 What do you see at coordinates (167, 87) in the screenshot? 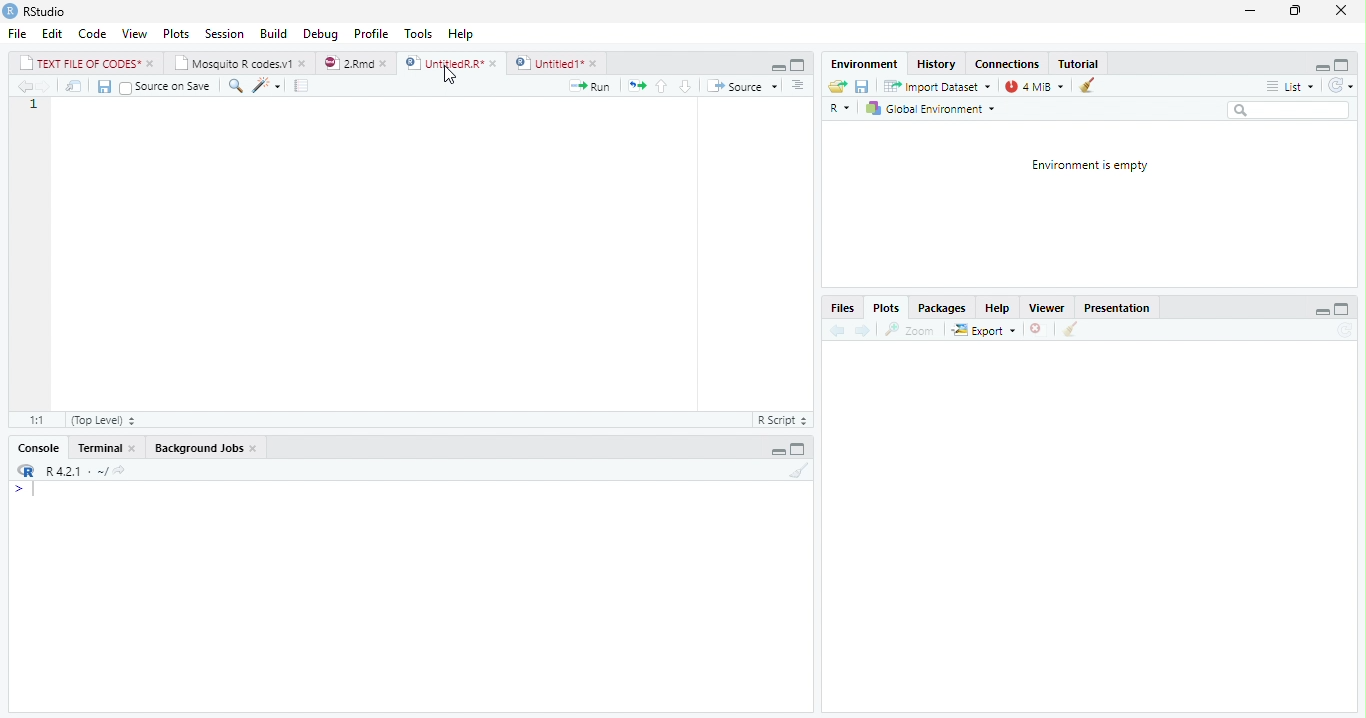
I see `Source on Save` at bounding box center [167, 87].